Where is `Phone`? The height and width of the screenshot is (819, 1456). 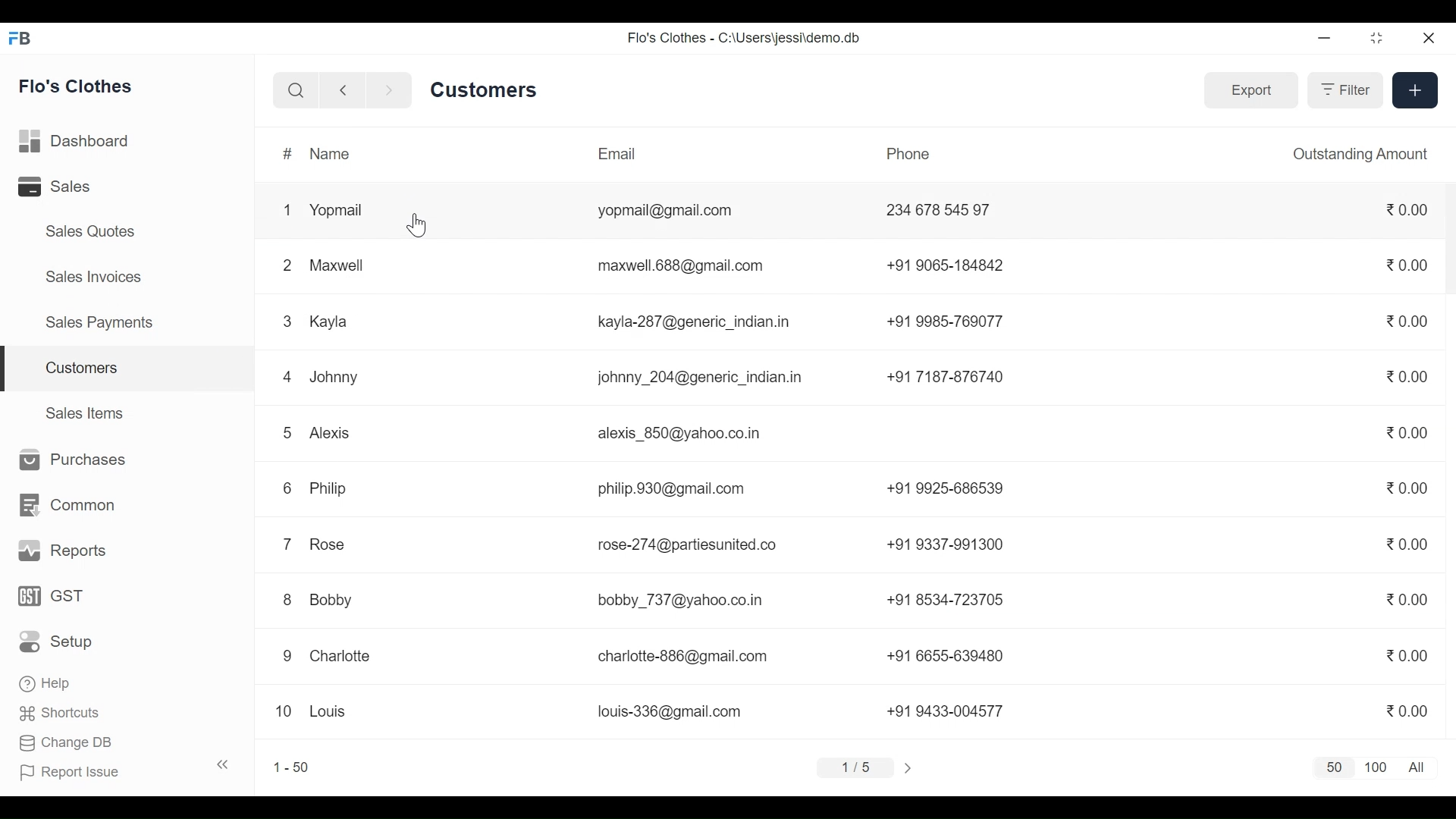 Phone is located at coordinates (907, 155).